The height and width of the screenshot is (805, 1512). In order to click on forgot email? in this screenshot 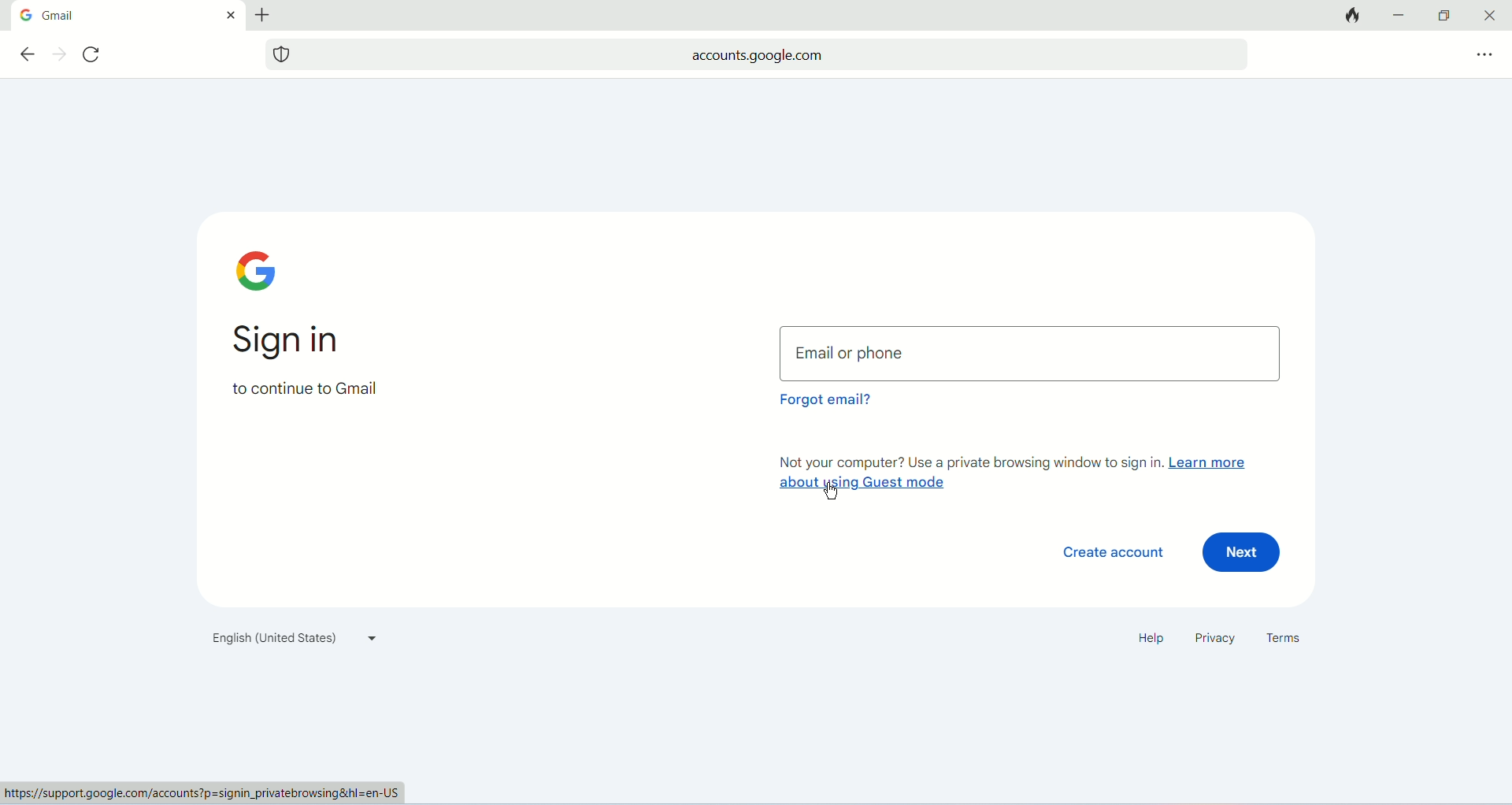, I will do `click(824, 404)`.